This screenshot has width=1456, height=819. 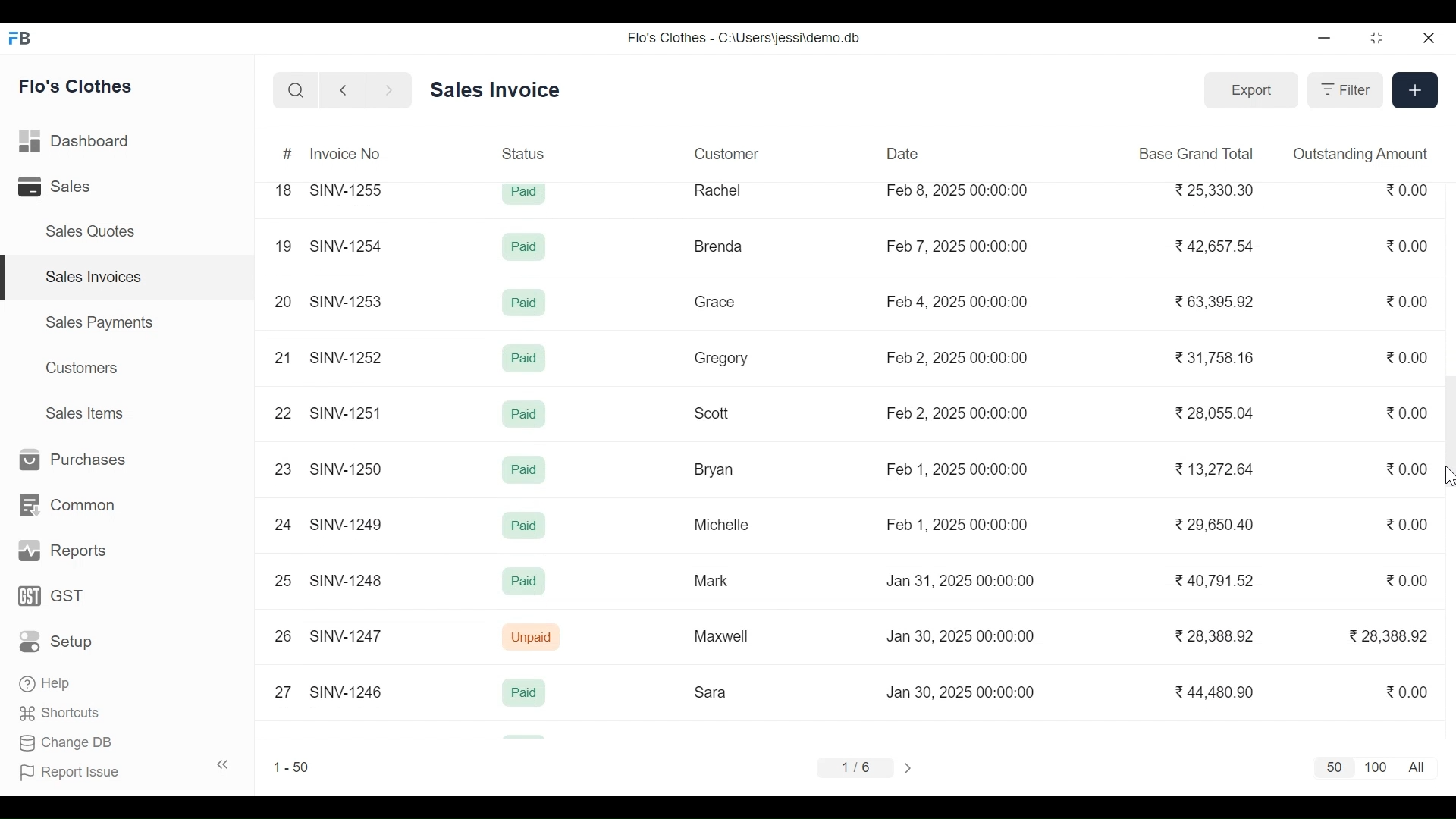 I want to click on All, so click(x=1420, y=767).